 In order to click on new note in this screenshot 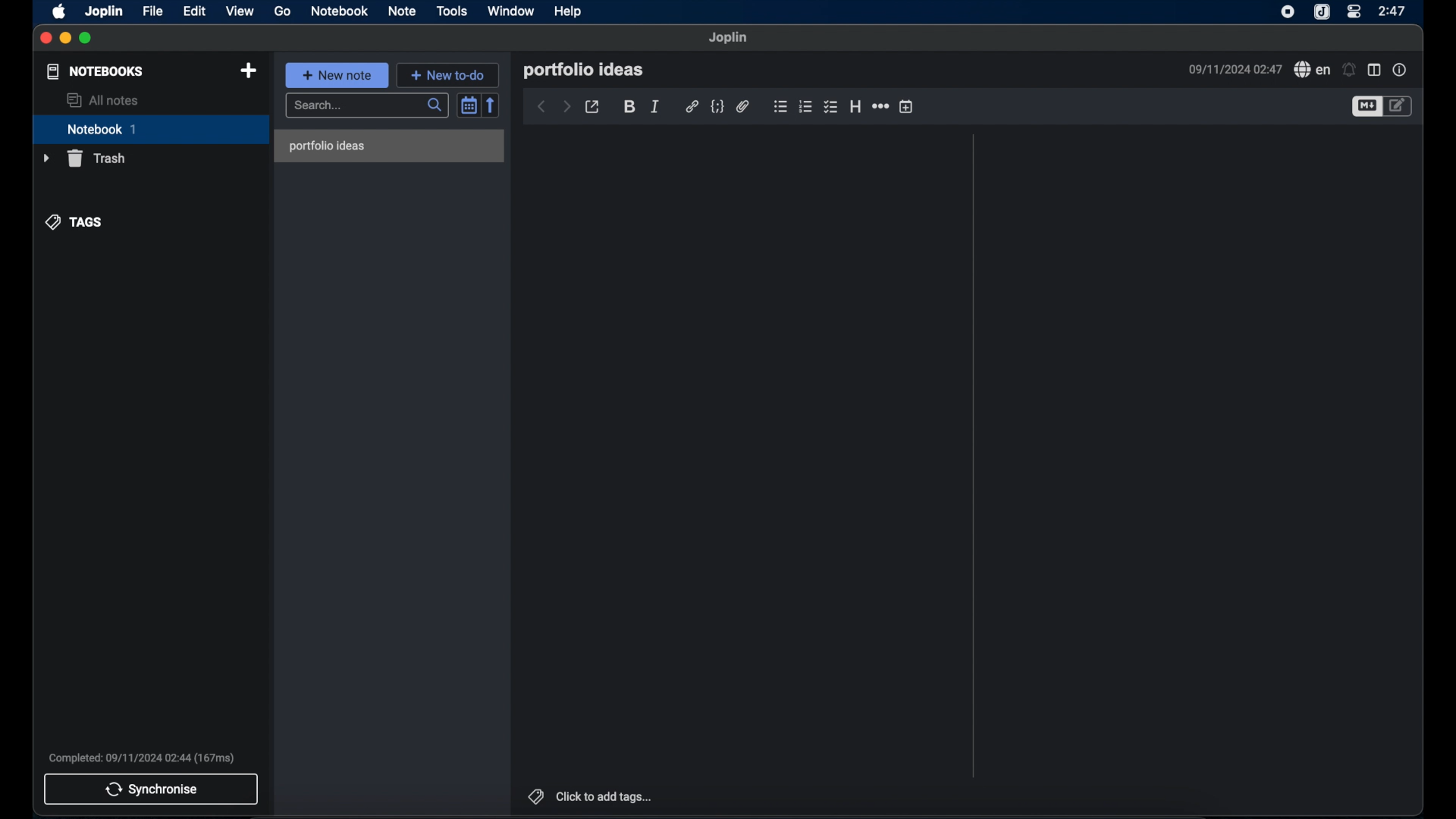, I will do `click(337, 75)`.